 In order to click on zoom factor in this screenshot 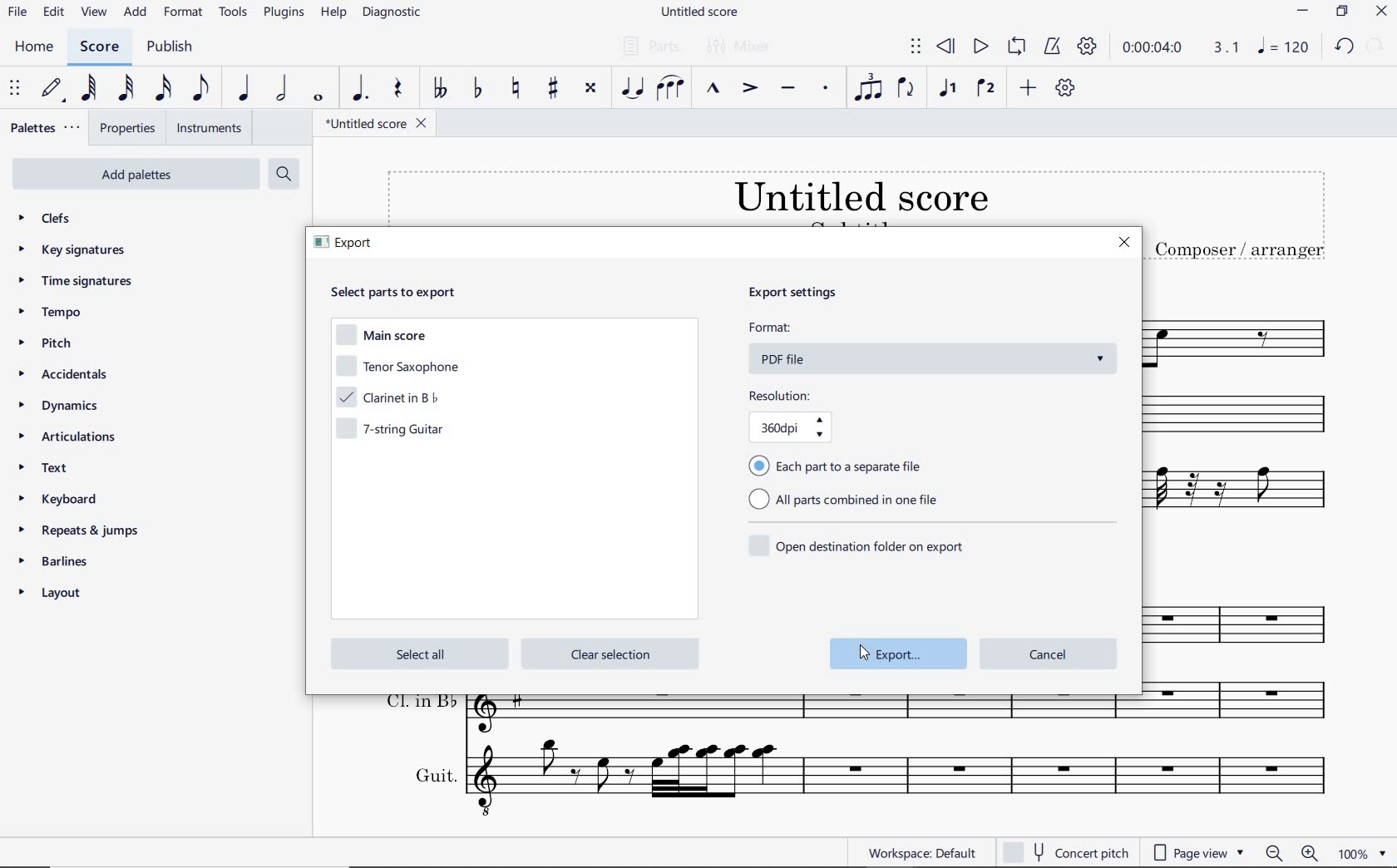, I will do `click(1360, 851)`.